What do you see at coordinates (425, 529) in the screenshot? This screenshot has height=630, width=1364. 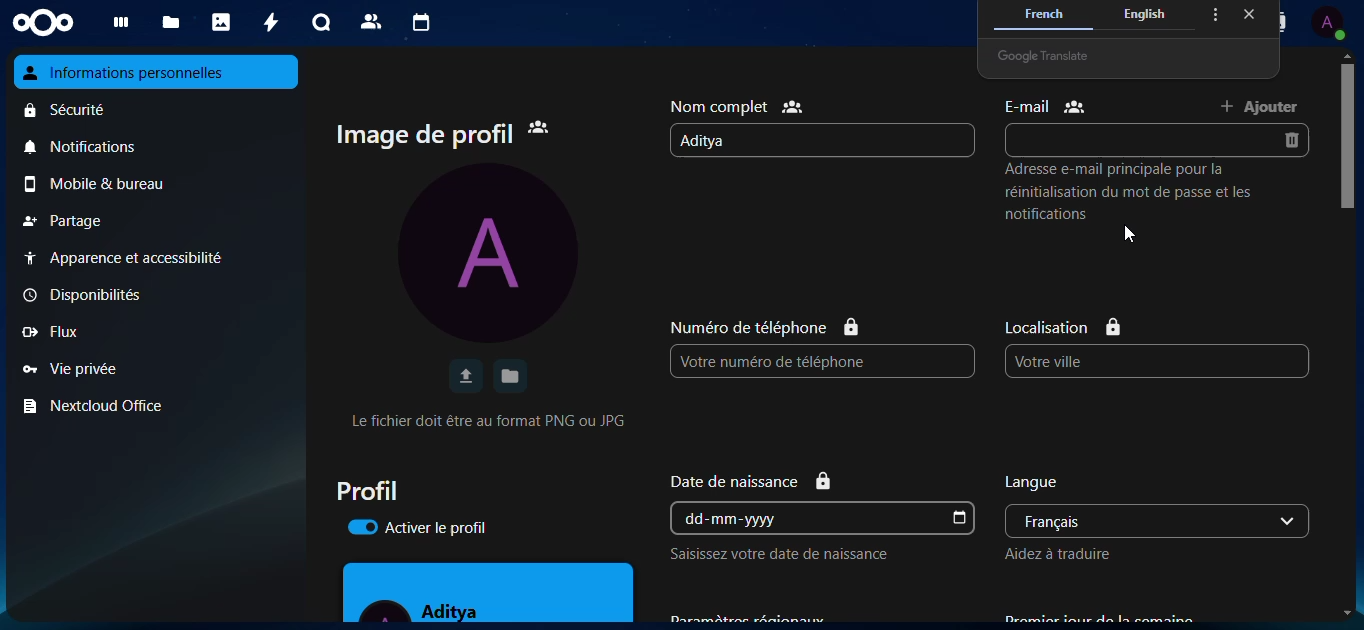 I see `Activer le profil` at bounding box center [425, 529].